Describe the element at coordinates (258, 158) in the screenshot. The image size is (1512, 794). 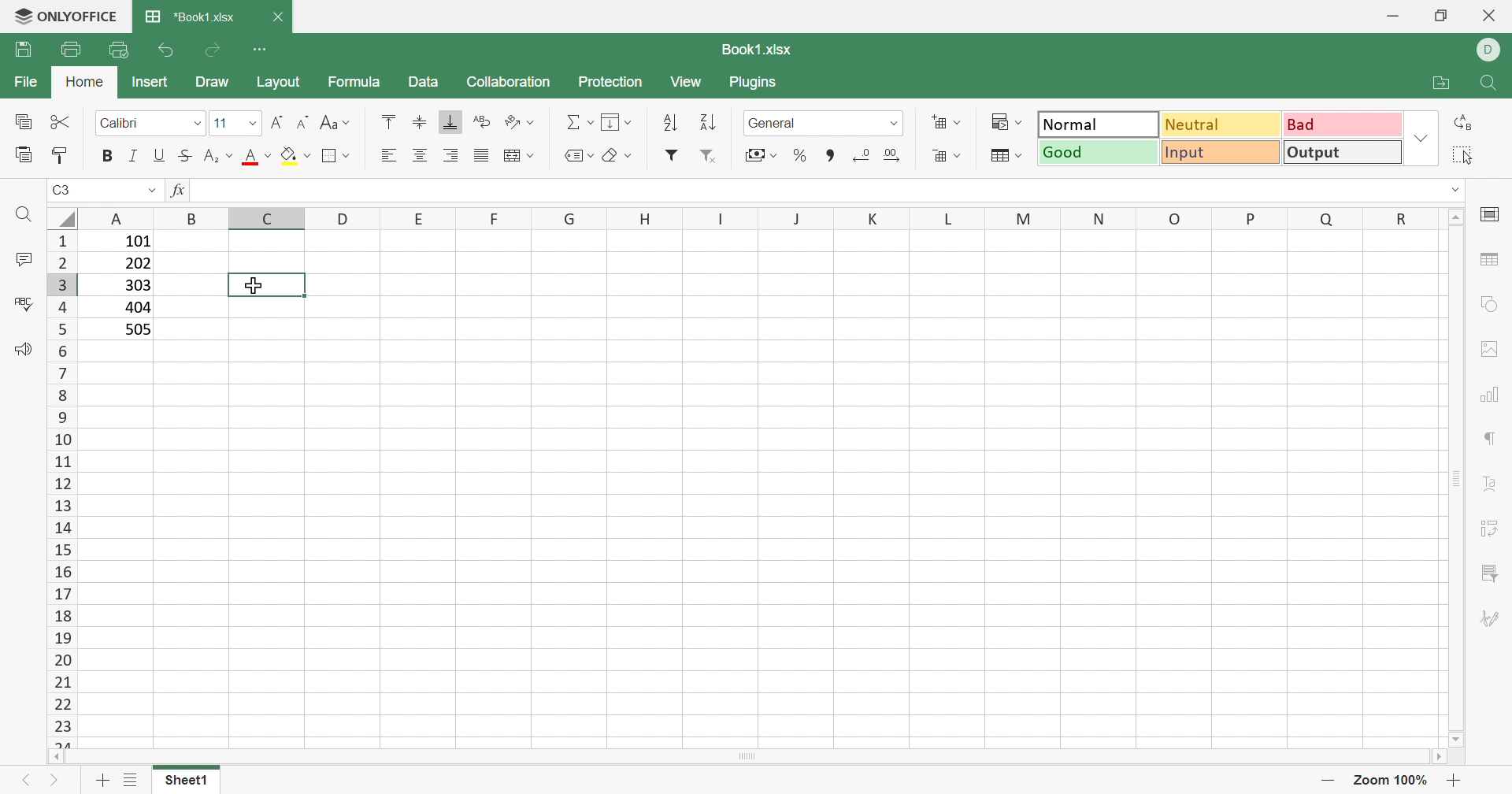
I see `Font color` at that location.